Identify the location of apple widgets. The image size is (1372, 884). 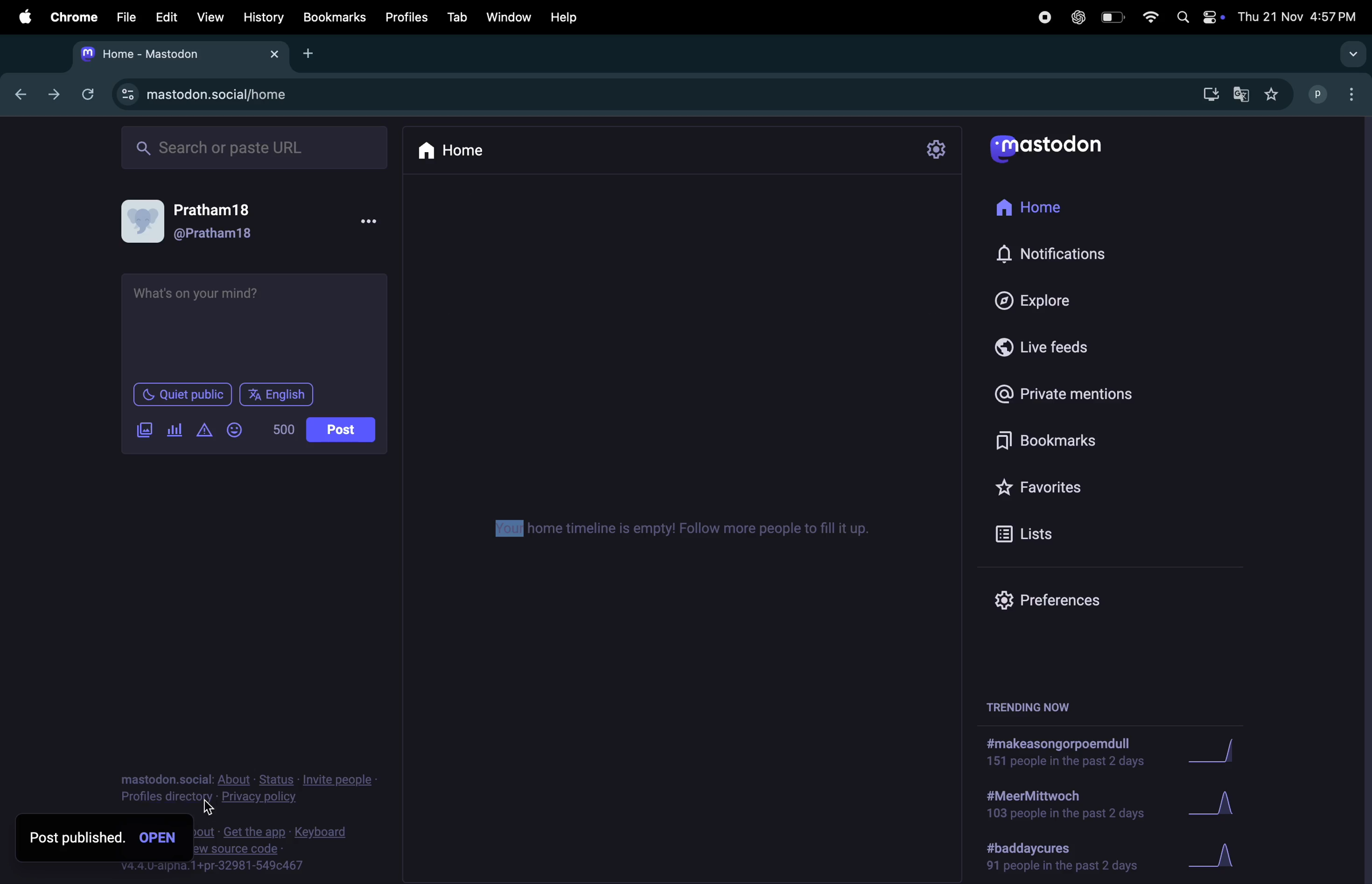
(1213, 17).